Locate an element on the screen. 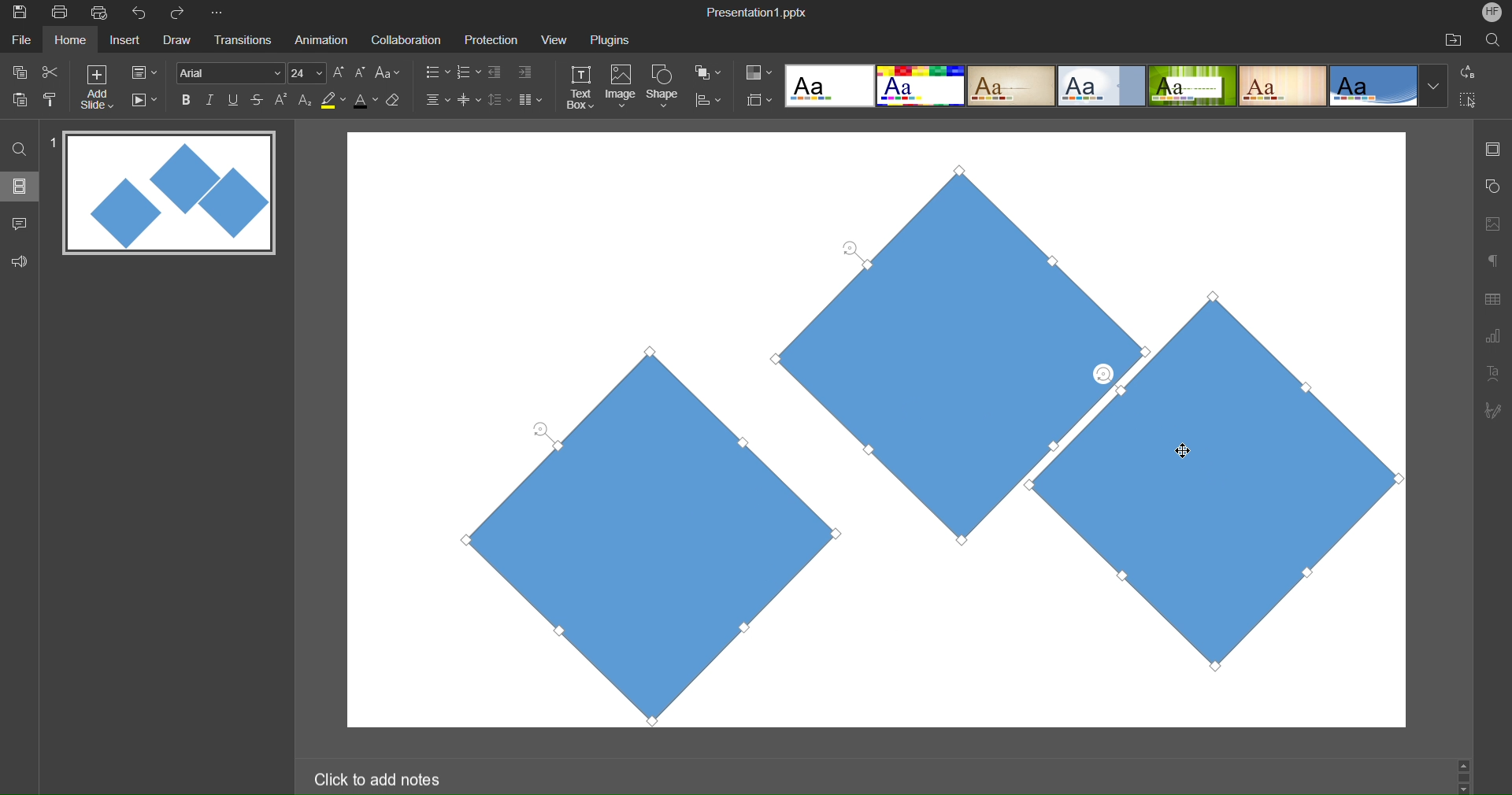 The image size is (1512, 795). Alignment is located at coordinates (436, 99).